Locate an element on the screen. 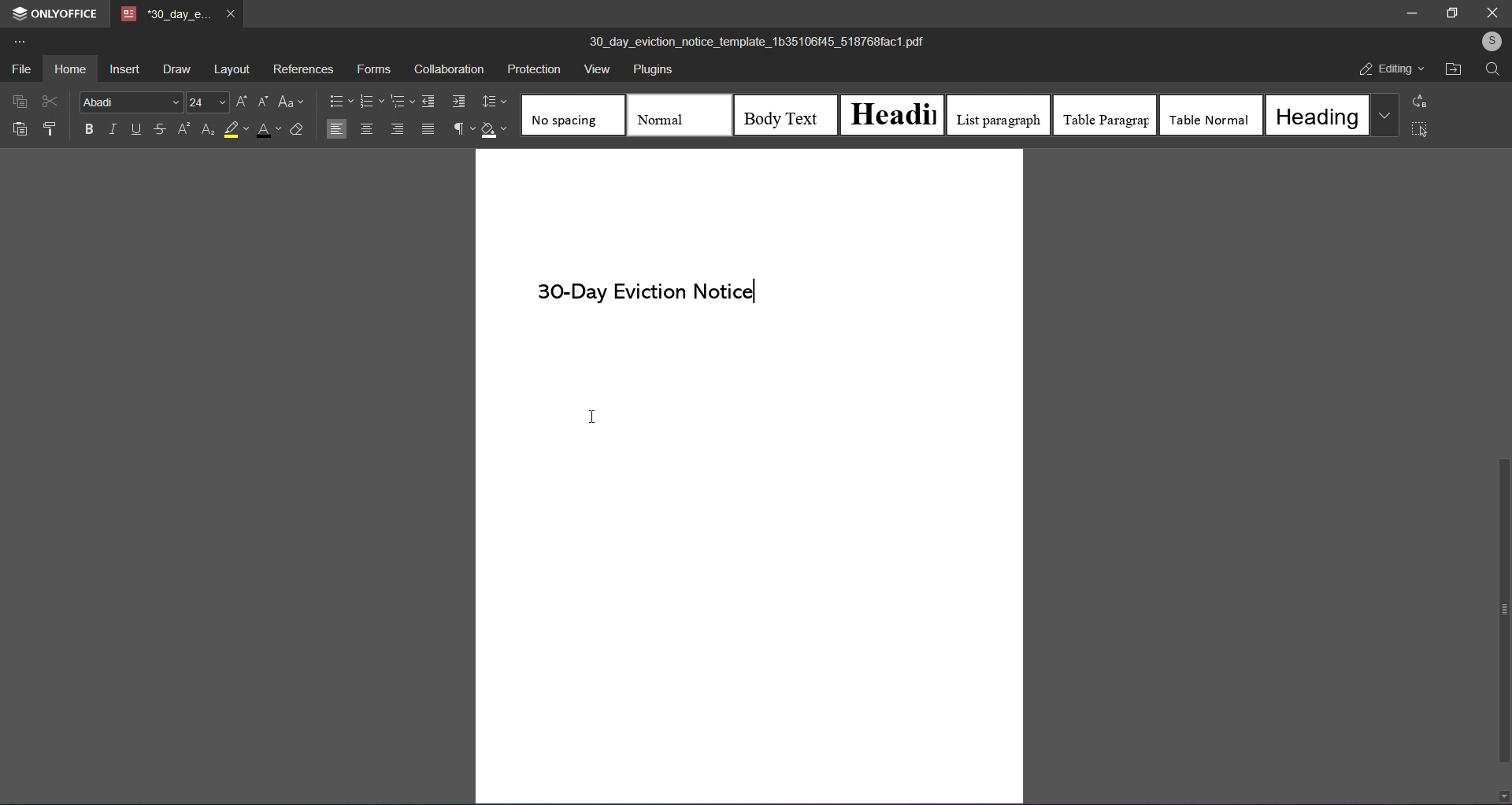  protection is located at coordinates (532, 68).